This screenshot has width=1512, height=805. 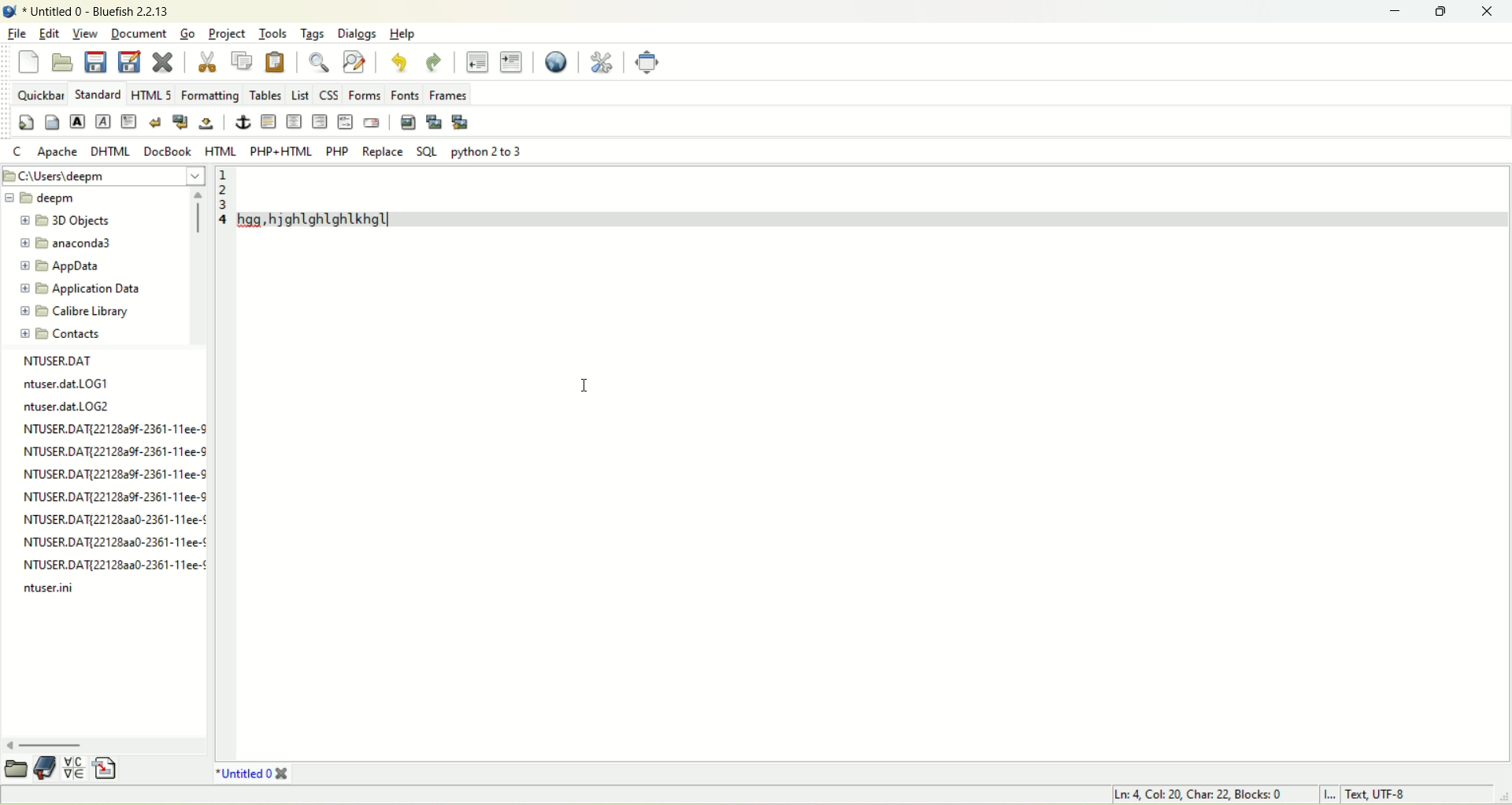 I want to click on dialogs, so click(x=358, y=35).